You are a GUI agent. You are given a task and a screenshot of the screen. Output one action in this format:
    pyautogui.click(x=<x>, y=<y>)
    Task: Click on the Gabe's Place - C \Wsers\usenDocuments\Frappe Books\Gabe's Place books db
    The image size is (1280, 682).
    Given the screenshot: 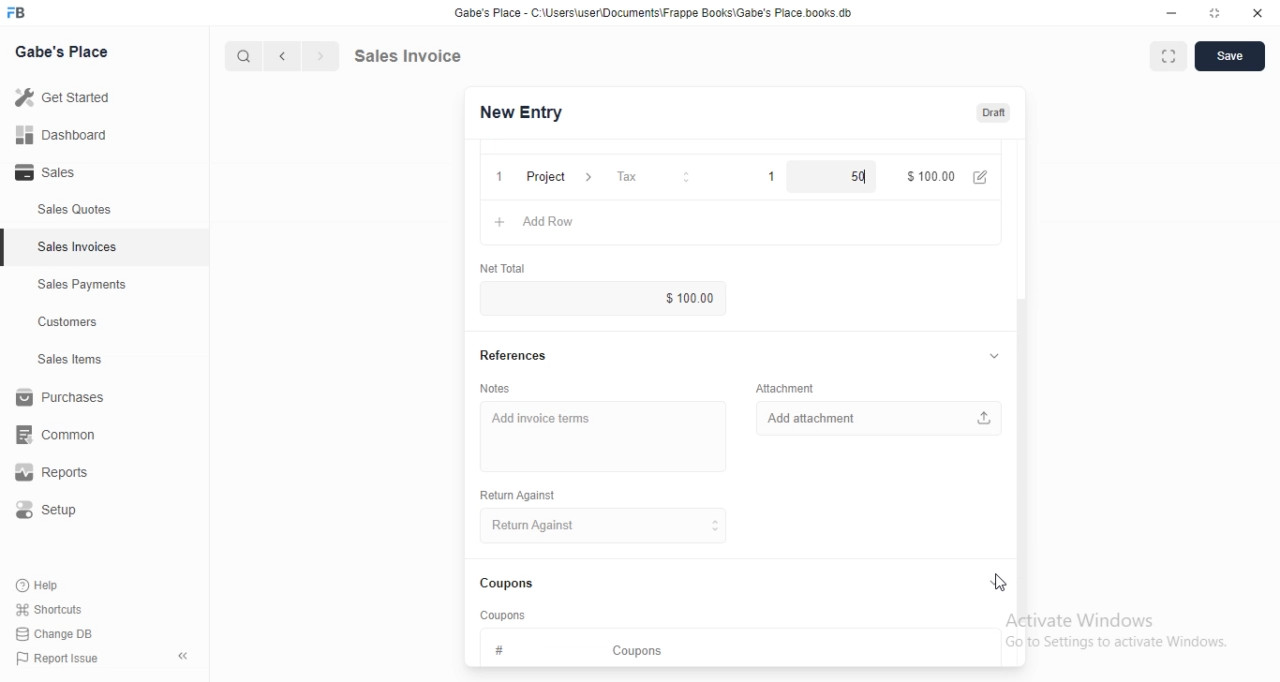 What is the action you would take?
    pyautogui.click(x=658, y=16)
    